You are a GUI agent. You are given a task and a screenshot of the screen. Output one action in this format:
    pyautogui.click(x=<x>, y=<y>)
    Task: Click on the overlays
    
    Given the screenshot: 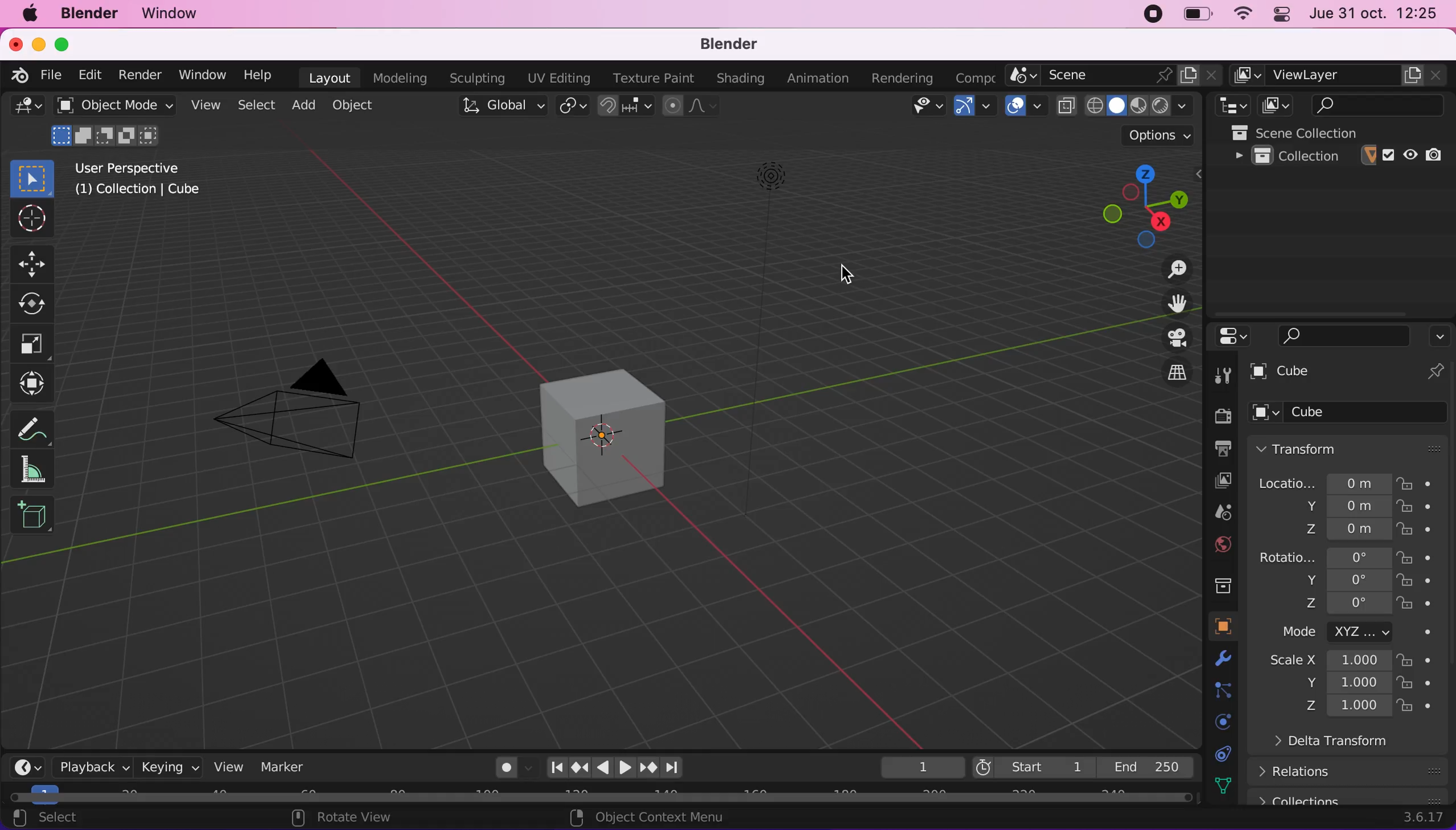 What is the action you would take?
    pyautogui.click(x=1023, y=106)
    